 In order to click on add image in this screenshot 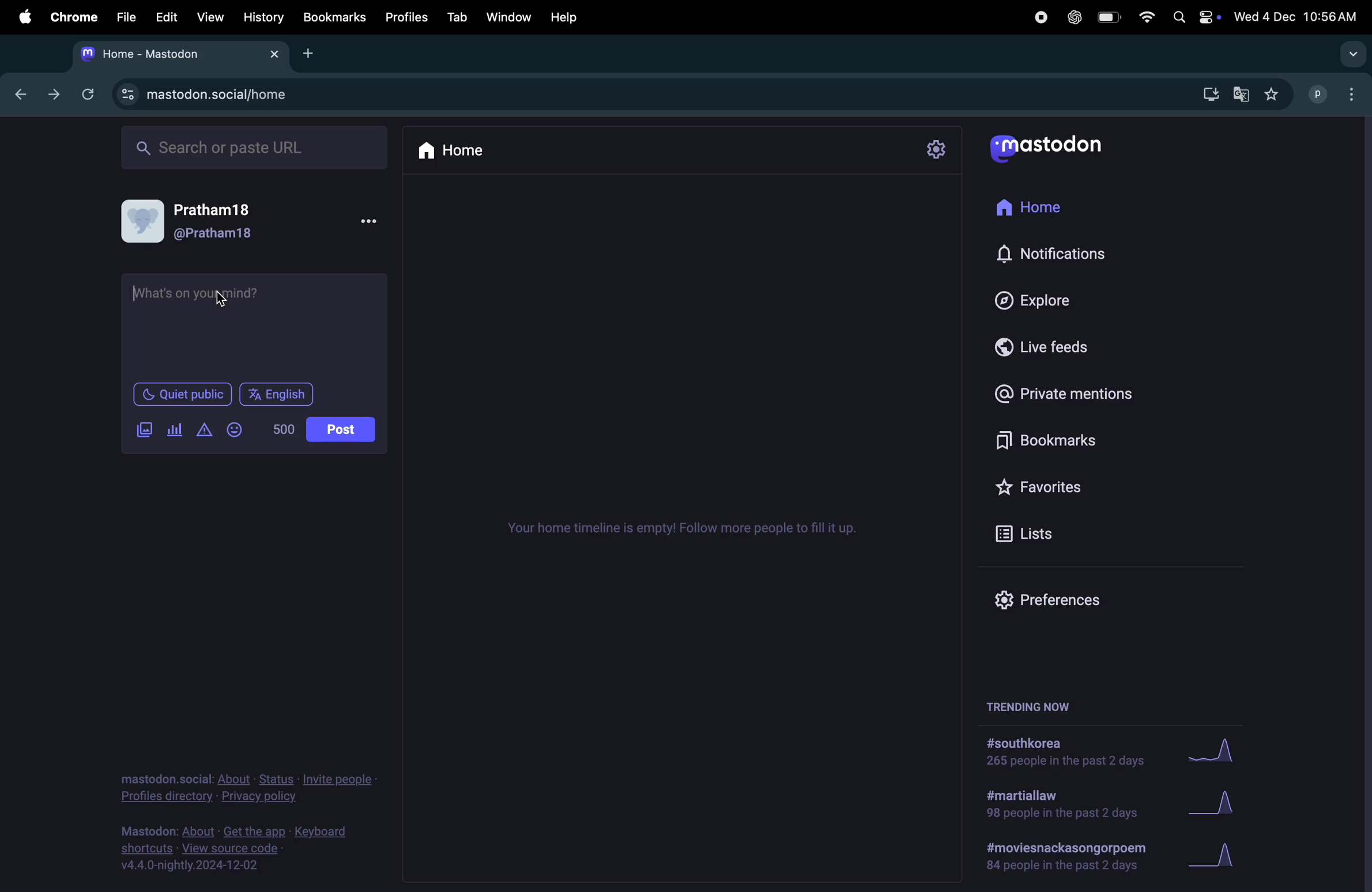, I will do `click(146, 430)`.